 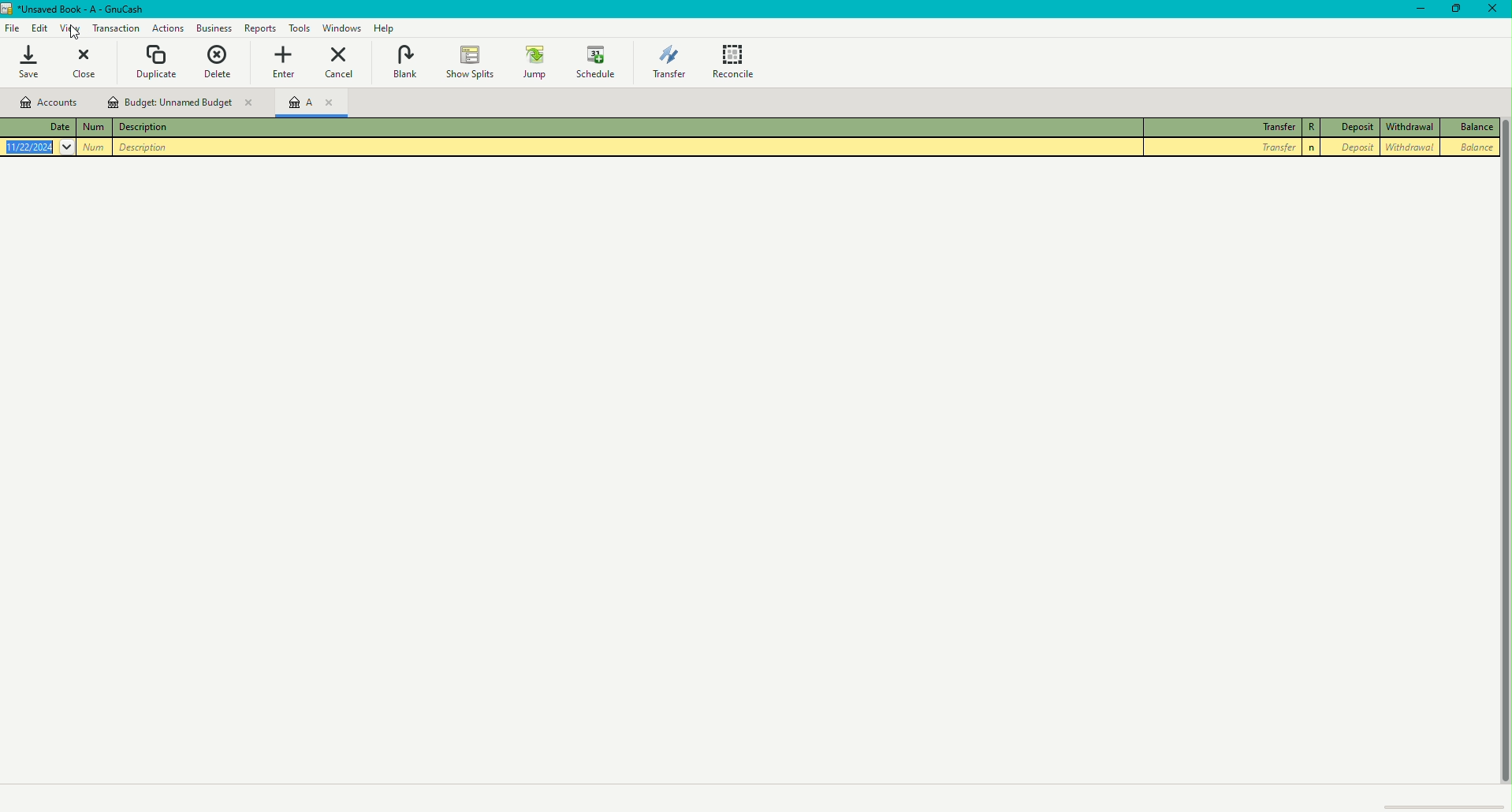 I want to click on View, so click(x=72, y=29).